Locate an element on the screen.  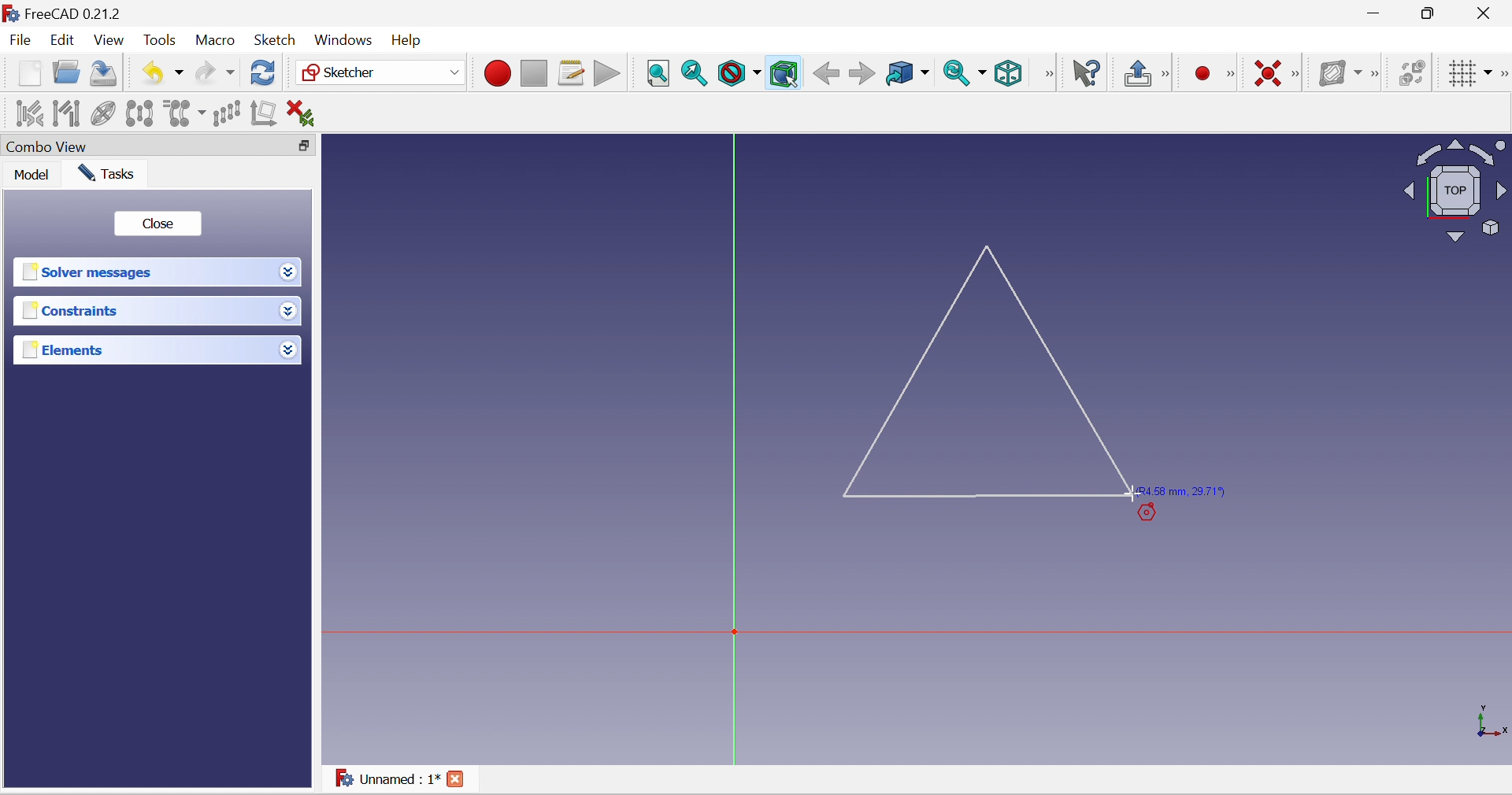
[Sketcher geometries] is located at coordinates (1232, 76).